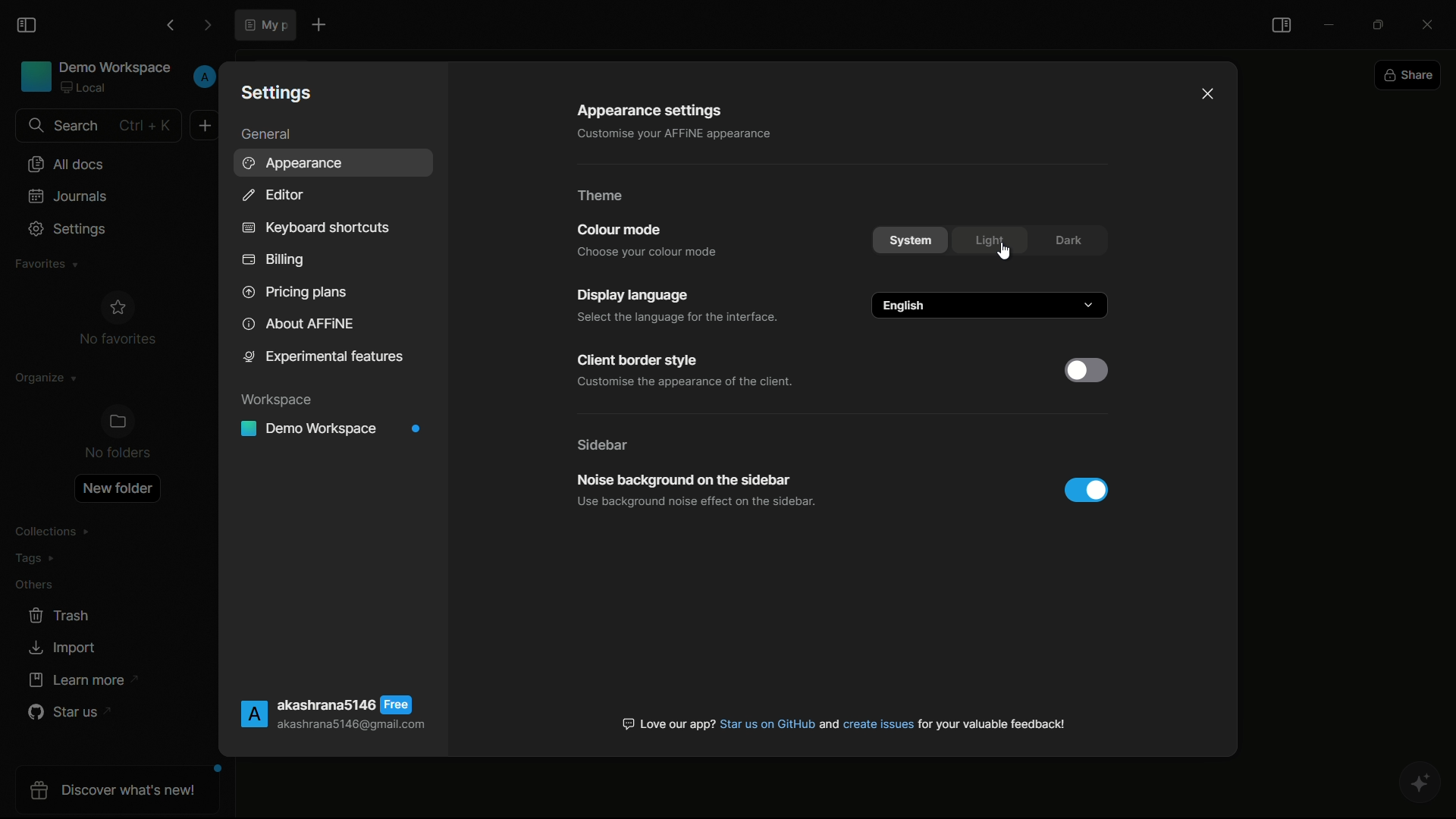 The width and height of the screenshot is (1456, 819). Describe the element at coordinates (279, 91) in the screenshot. I see `Settings` at that location.